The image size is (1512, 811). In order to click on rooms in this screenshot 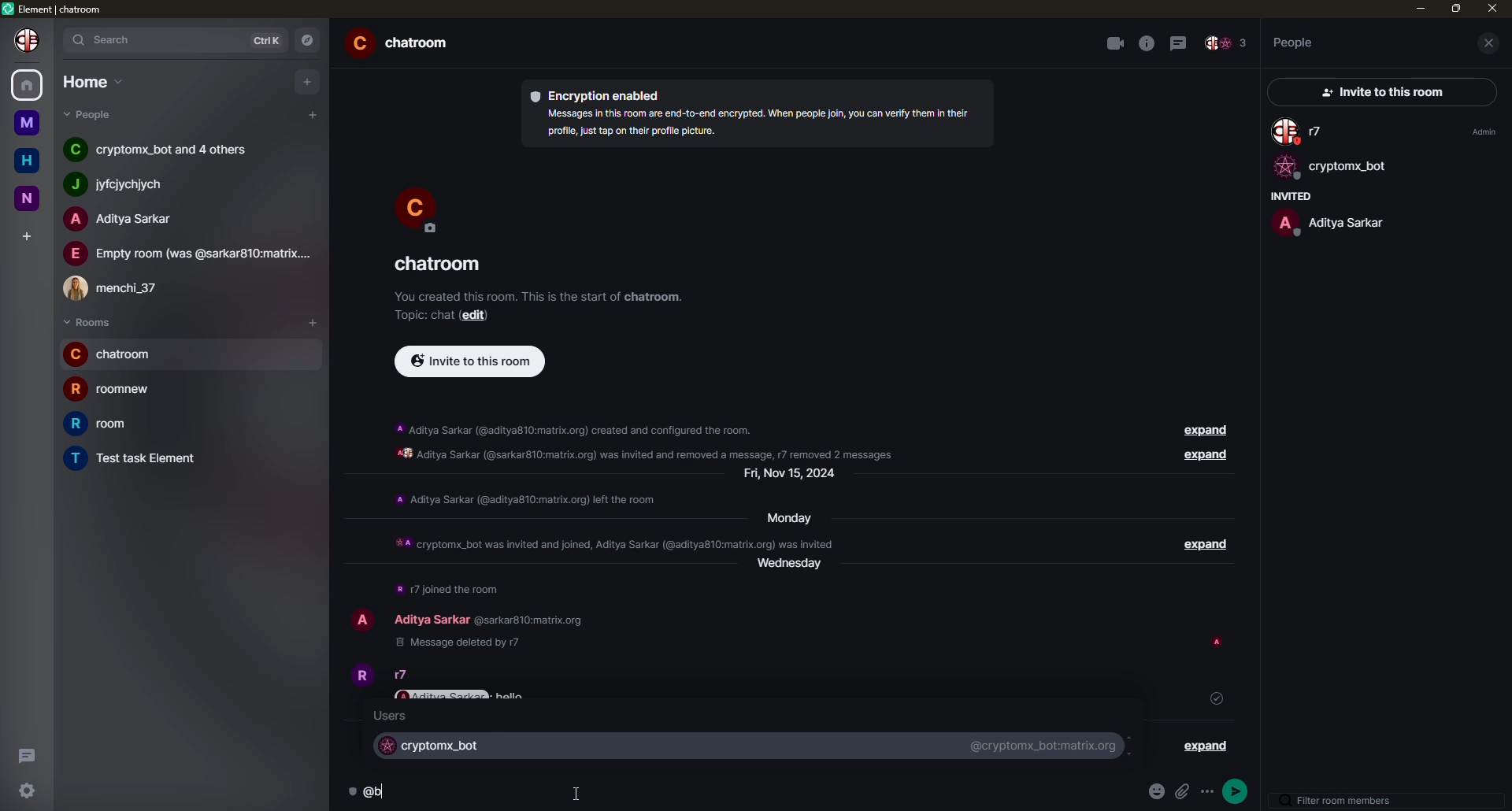, I will do `click(88, 323)`.